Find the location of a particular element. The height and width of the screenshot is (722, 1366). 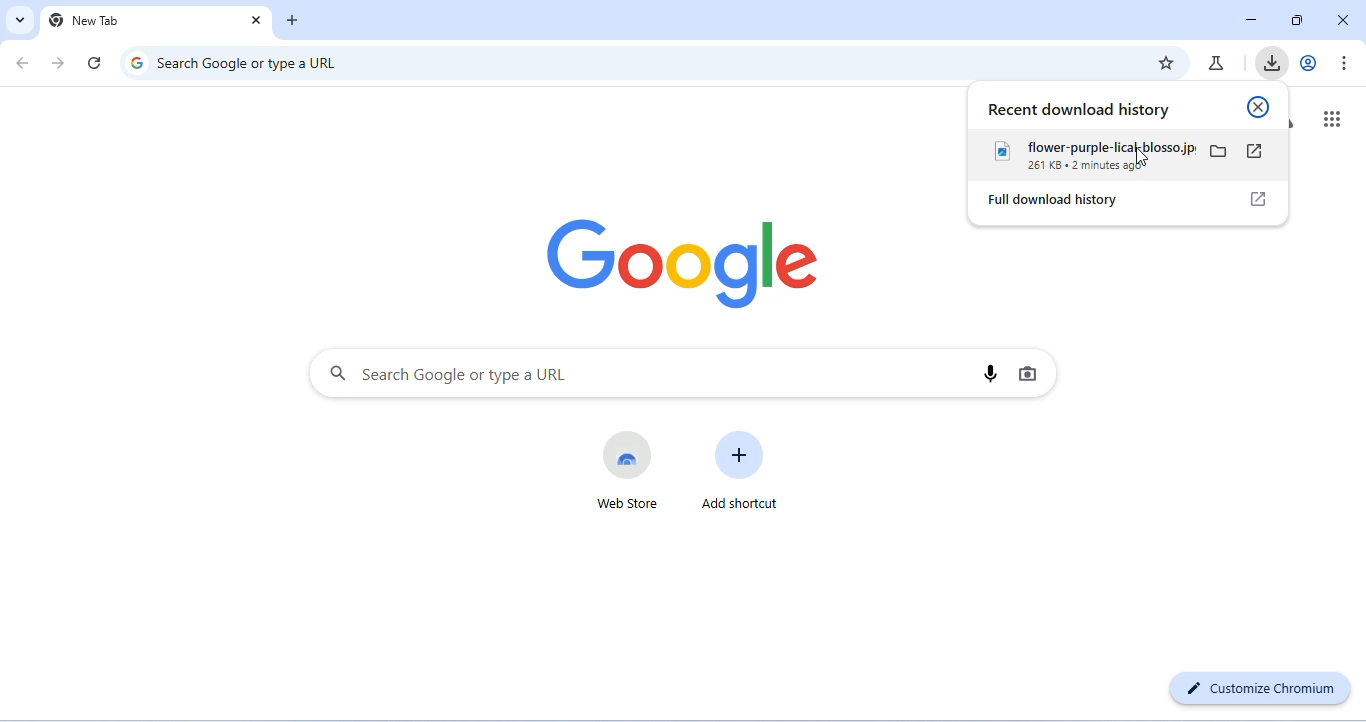

new tab is located at coordinates (85, 20).